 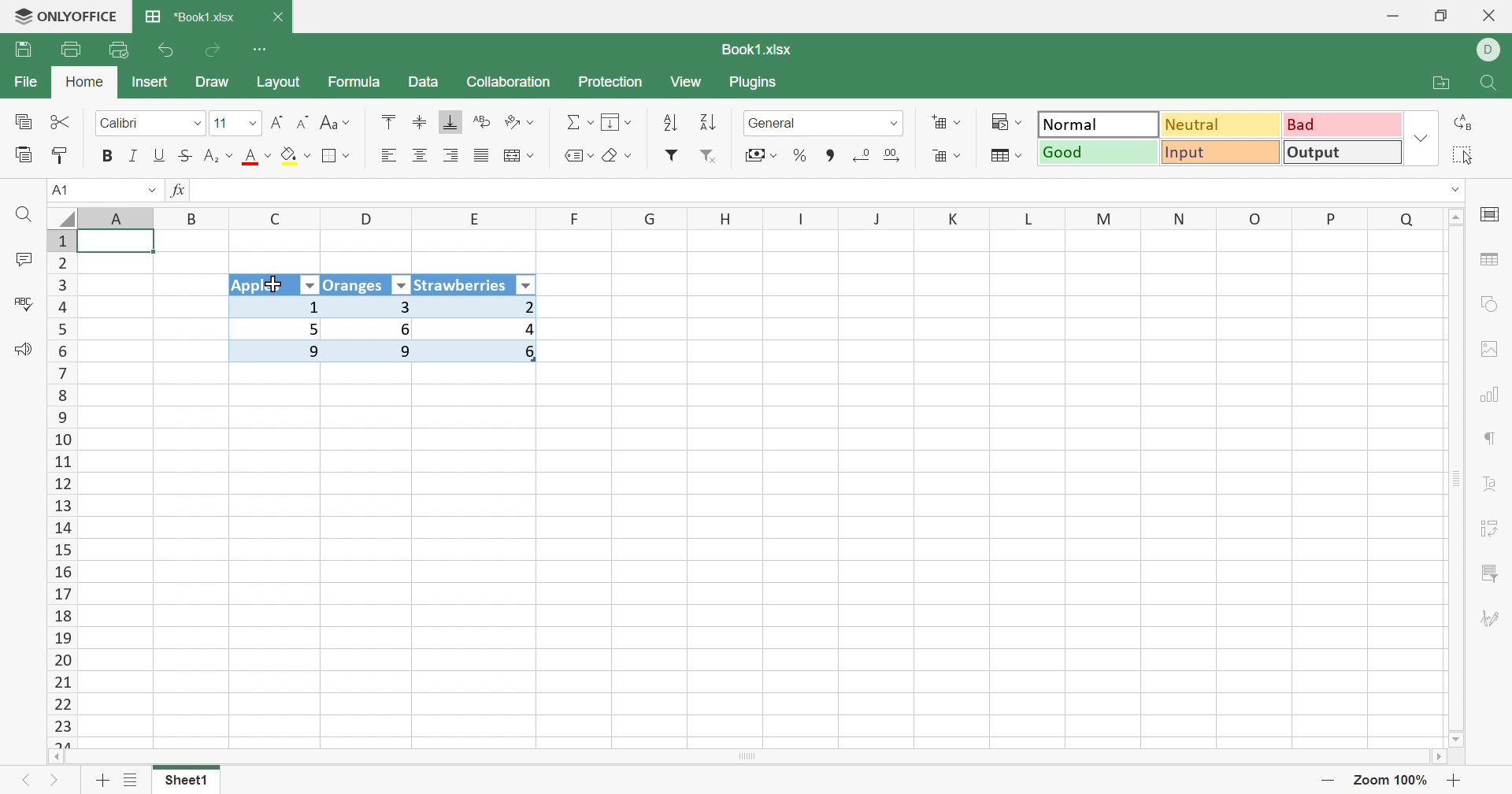 What do you see at coordinates (57, 758) in the screenshot?
I see `Scroll left` at bounding box center [57, 758].